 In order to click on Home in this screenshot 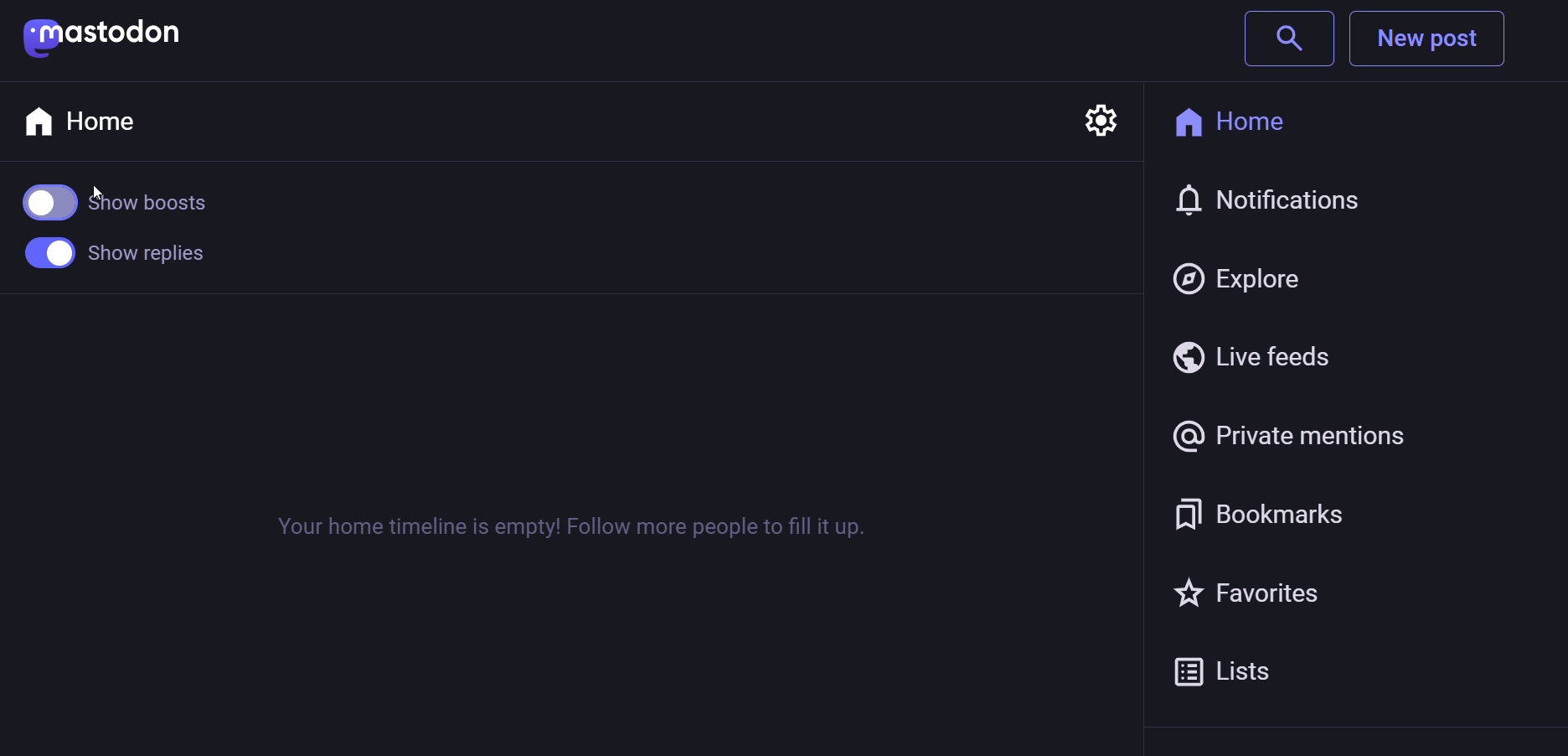, I will do `click(1241, 117)`.